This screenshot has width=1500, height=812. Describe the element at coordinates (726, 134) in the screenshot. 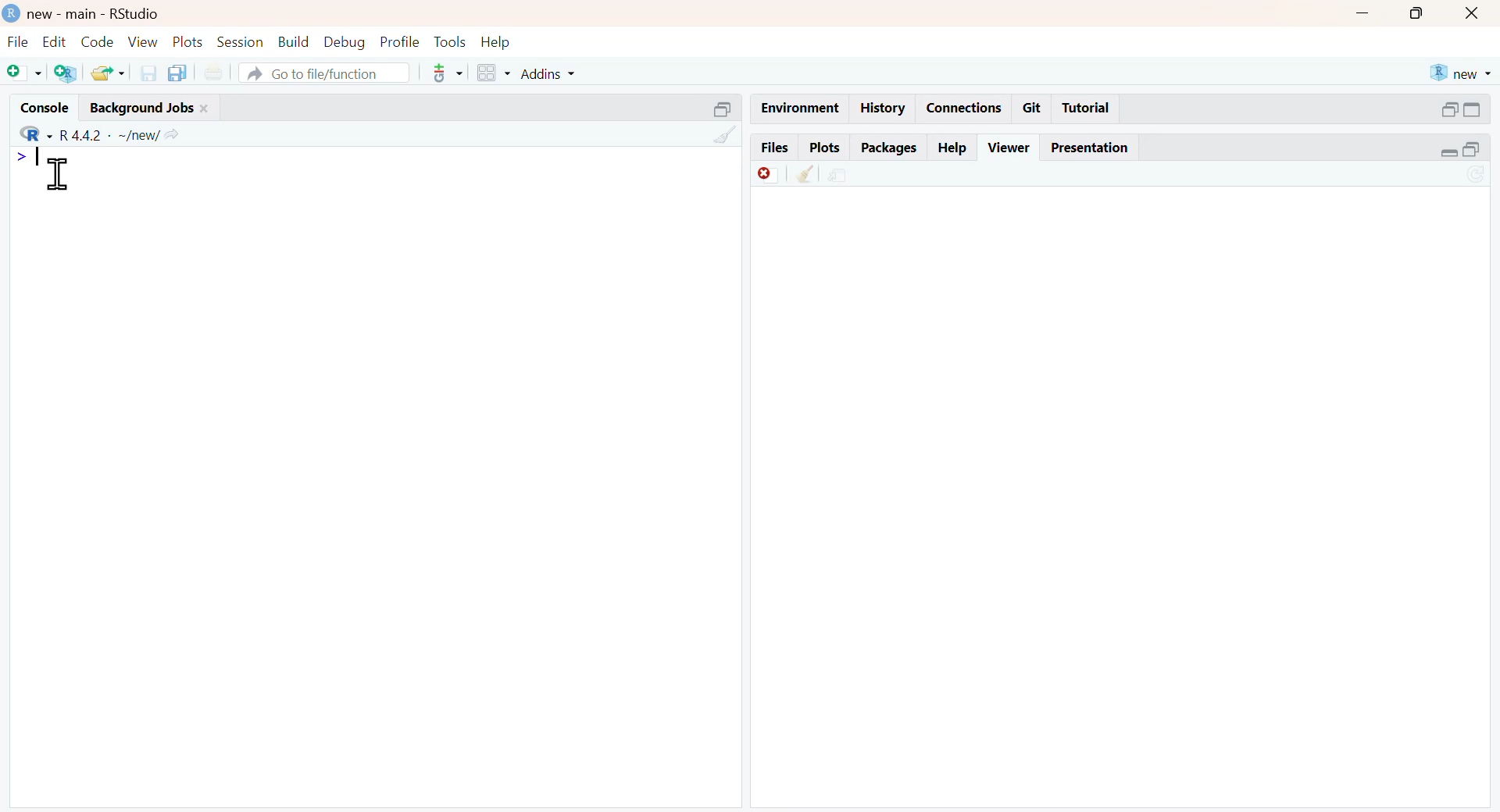

I see `clear console` at that location.